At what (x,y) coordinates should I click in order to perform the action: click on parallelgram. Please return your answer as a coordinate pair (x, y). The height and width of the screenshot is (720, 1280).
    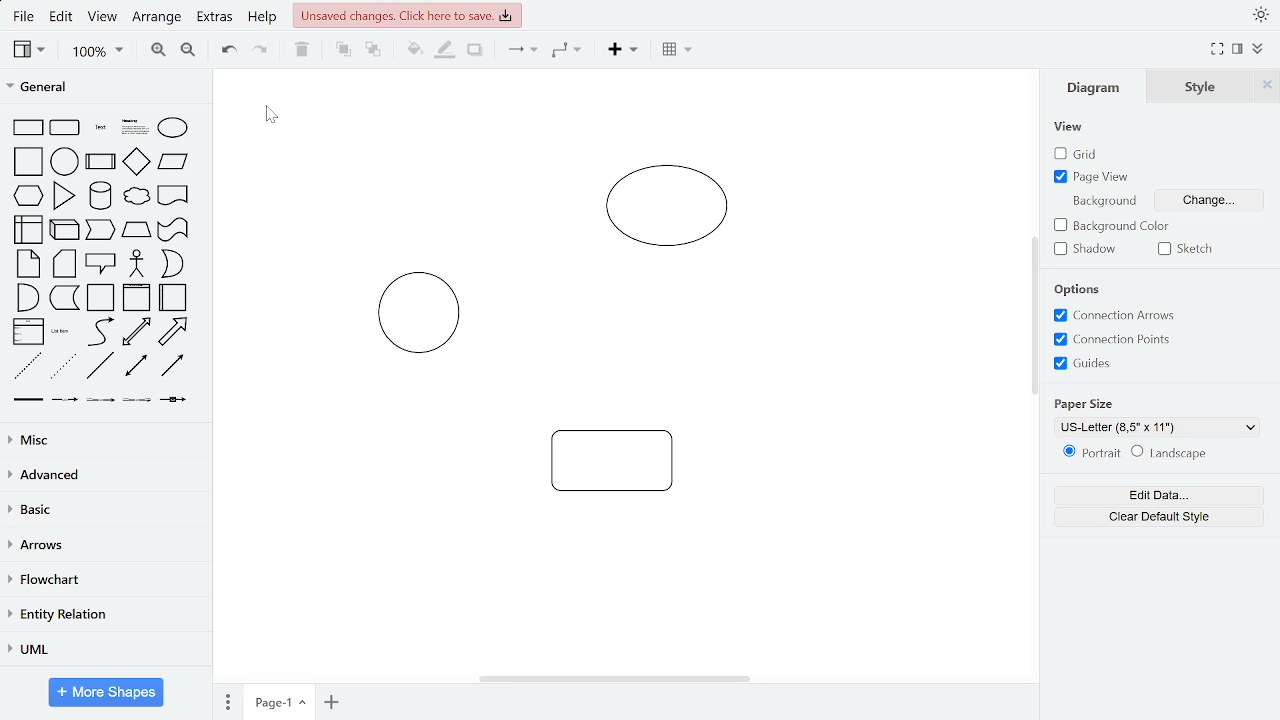
    Looking at the image, I should click on (174, 162).